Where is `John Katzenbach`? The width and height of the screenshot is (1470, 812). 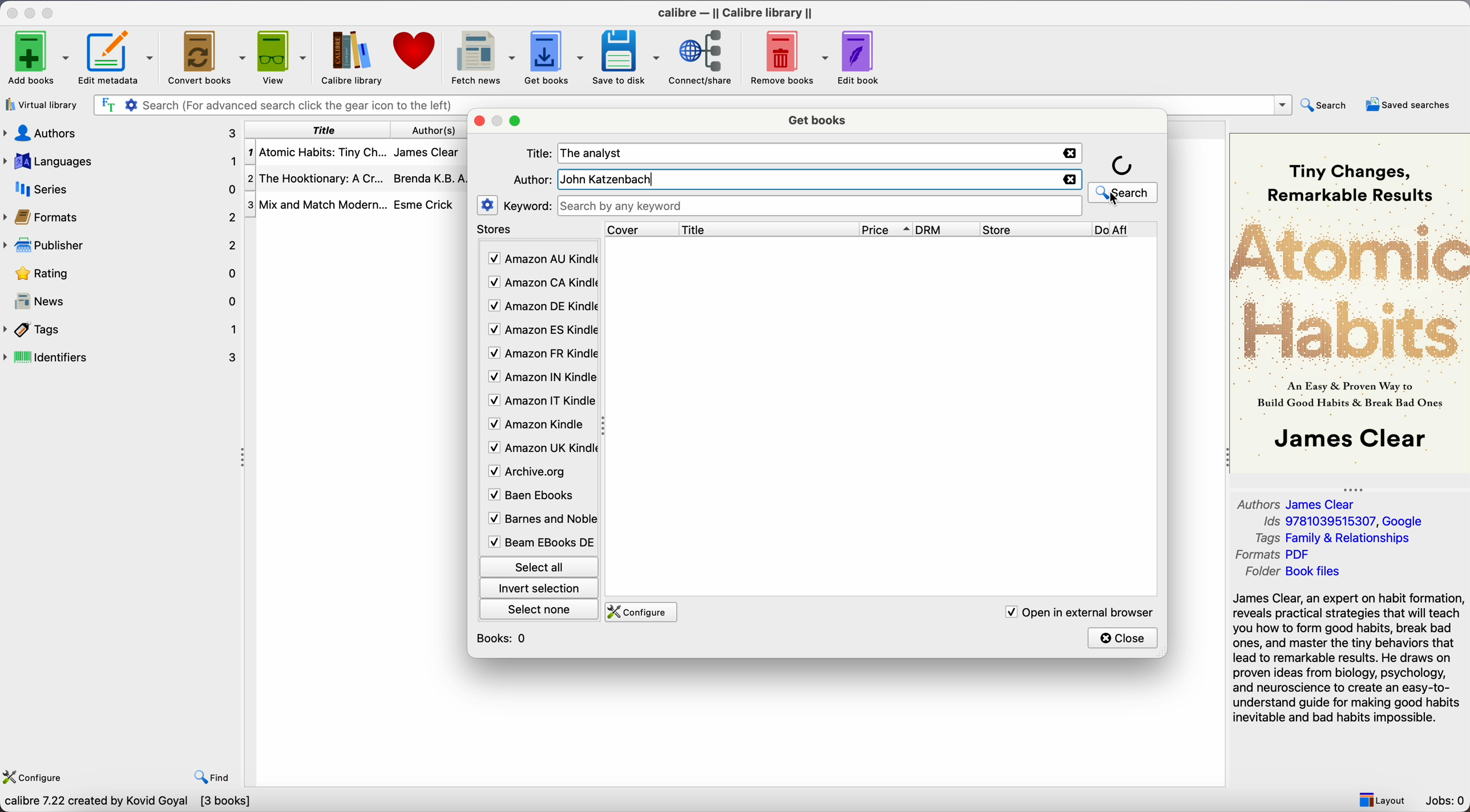 John Katzenbach is located at coordinates (606, 179).